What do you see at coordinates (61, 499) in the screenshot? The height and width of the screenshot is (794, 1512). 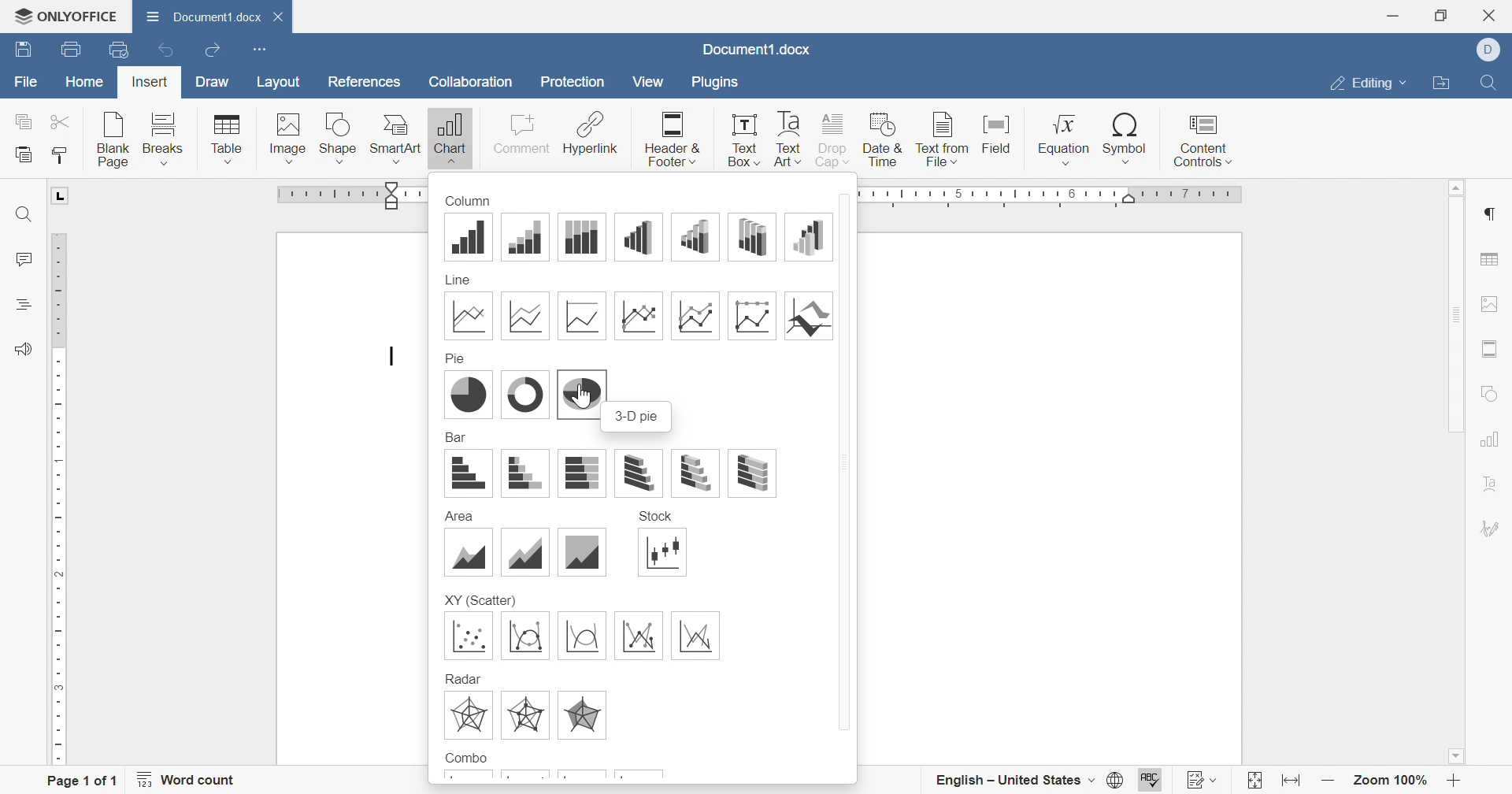 I see `Ruler` at bounding box center [61, 499].